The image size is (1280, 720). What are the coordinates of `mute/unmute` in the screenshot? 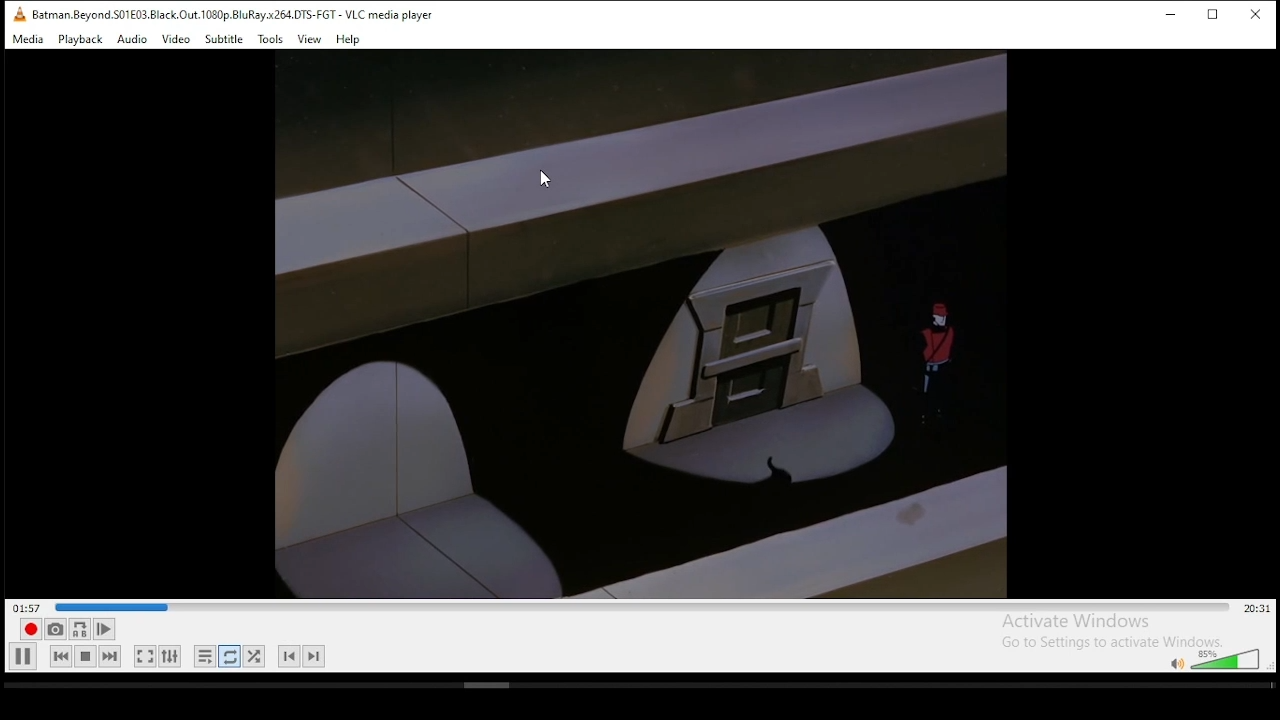 It's located at (1176, 663).